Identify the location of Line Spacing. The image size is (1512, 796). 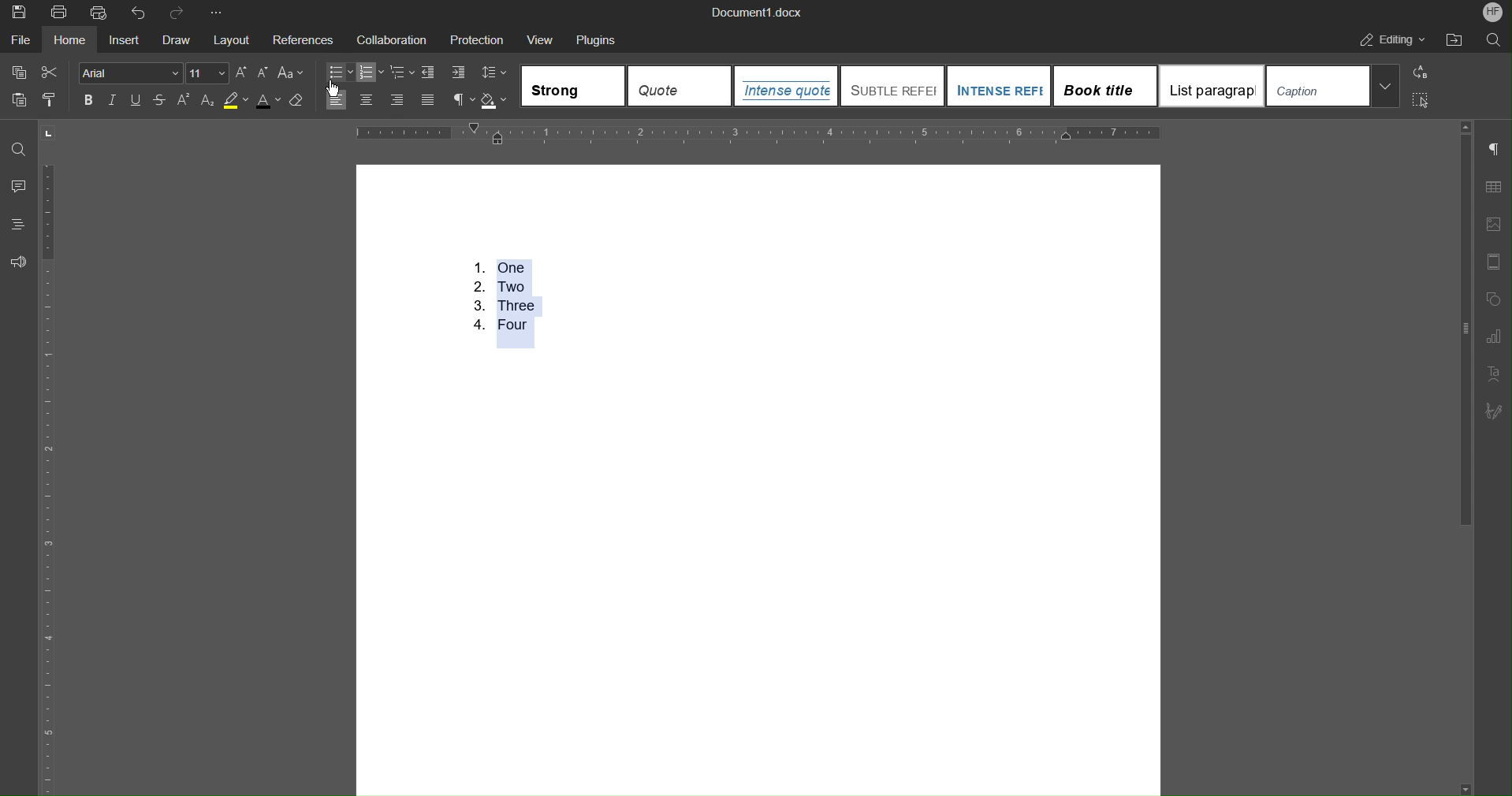
(495, 73).